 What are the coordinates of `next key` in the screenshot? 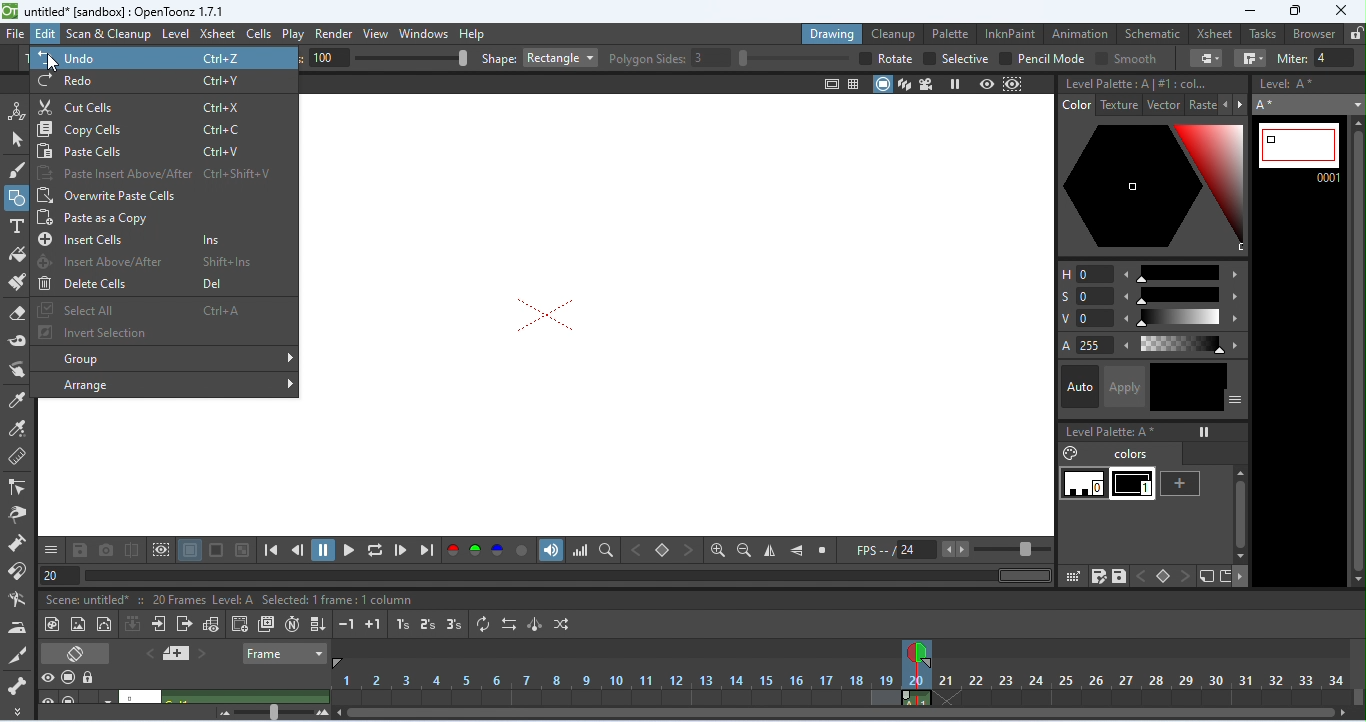 It's located at (688, 549).